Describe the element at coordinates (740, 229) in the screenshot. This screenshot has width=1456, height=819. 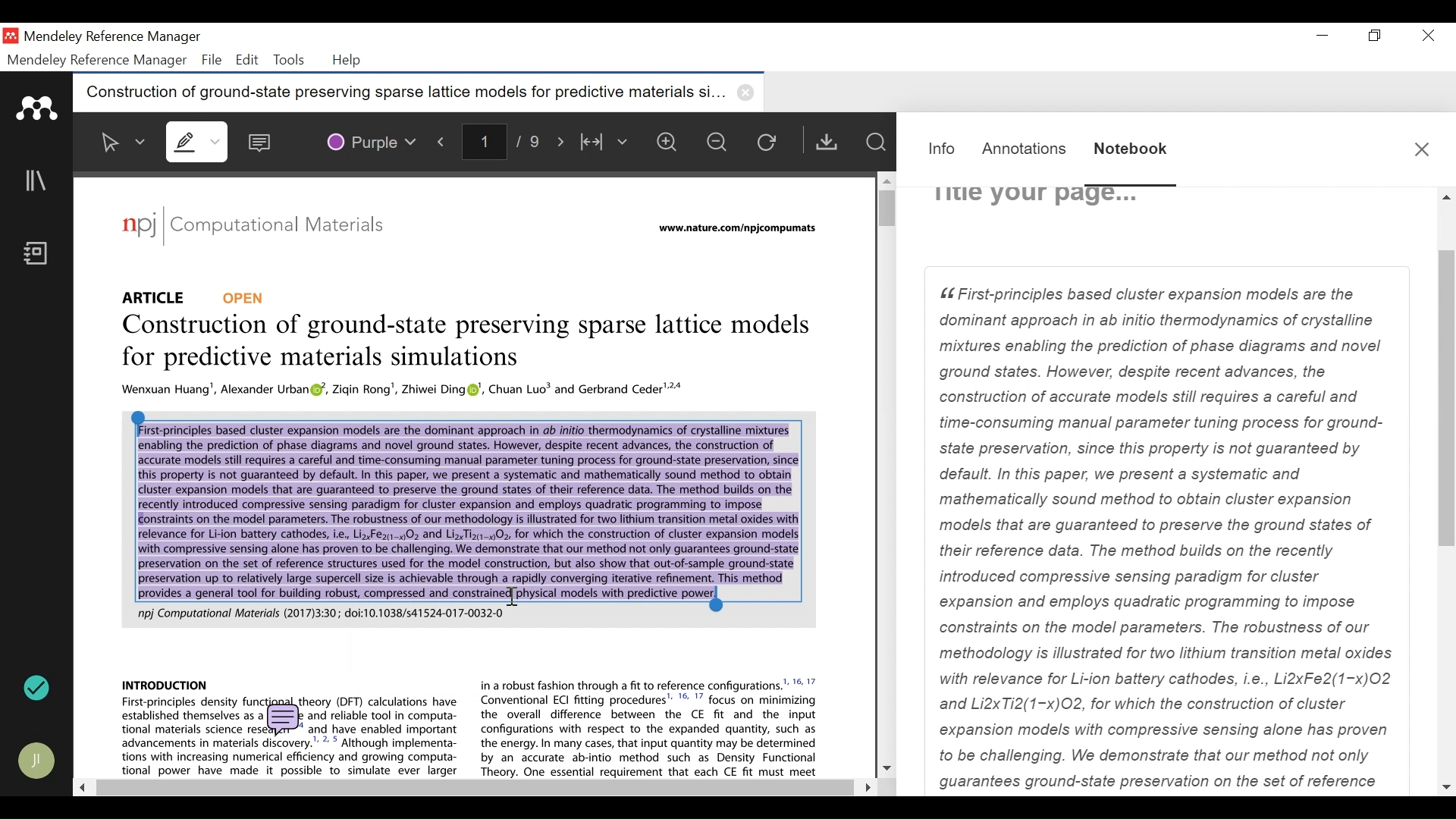
I see `URL` at that location.